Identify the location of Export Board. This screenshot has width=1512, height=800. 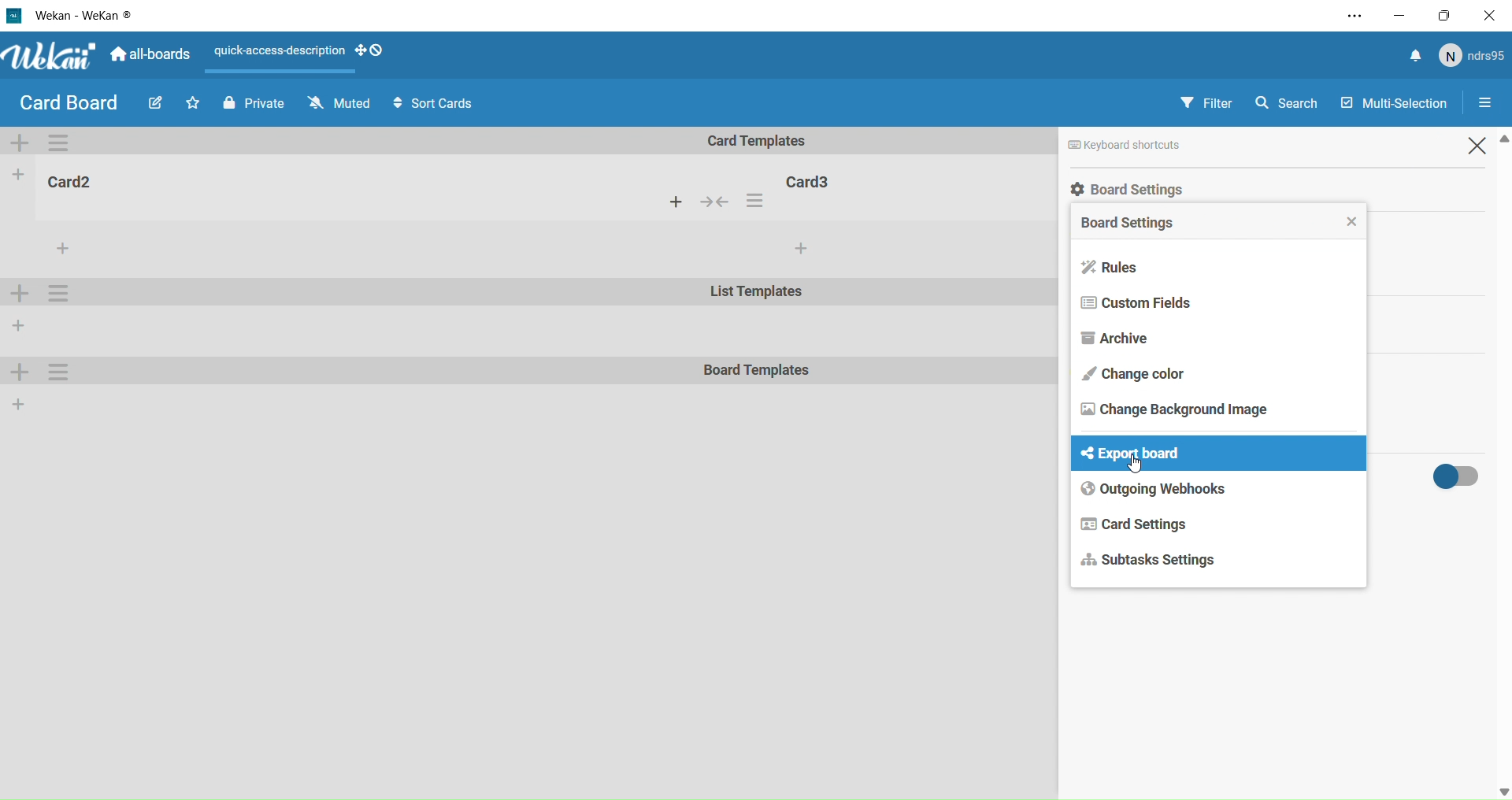
(1164, 455).